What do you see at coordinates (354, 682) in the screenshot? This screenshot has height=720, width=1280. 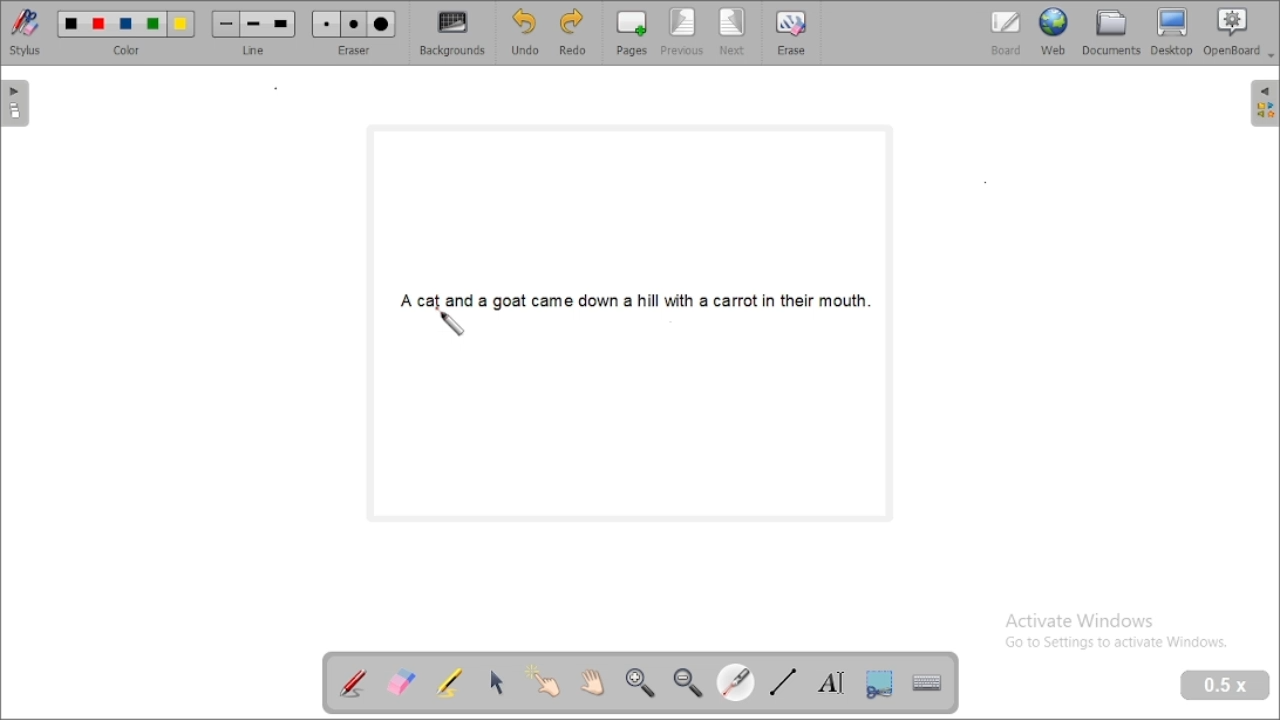 I see `annotate document` at bounding box center [354, 682].